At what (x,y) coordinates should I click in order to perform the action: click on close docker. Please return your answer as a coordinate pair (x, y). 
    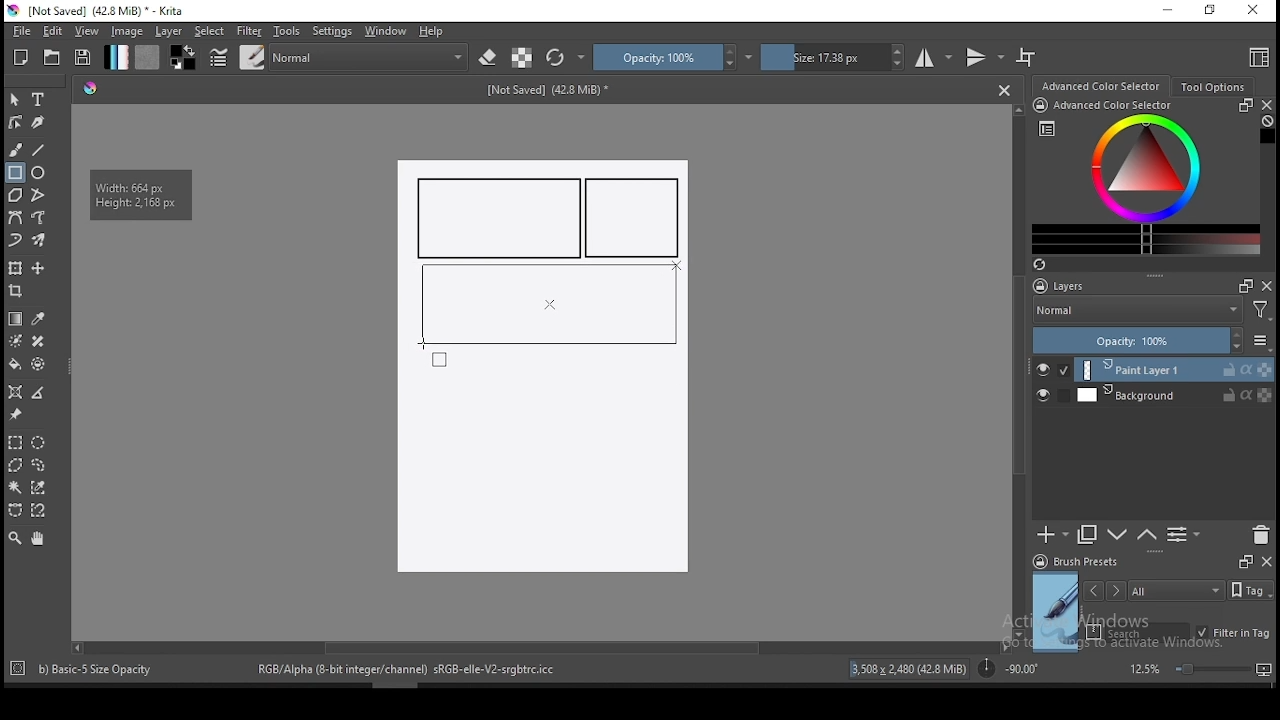
    Looking at the image, I should click on (1266, 105).